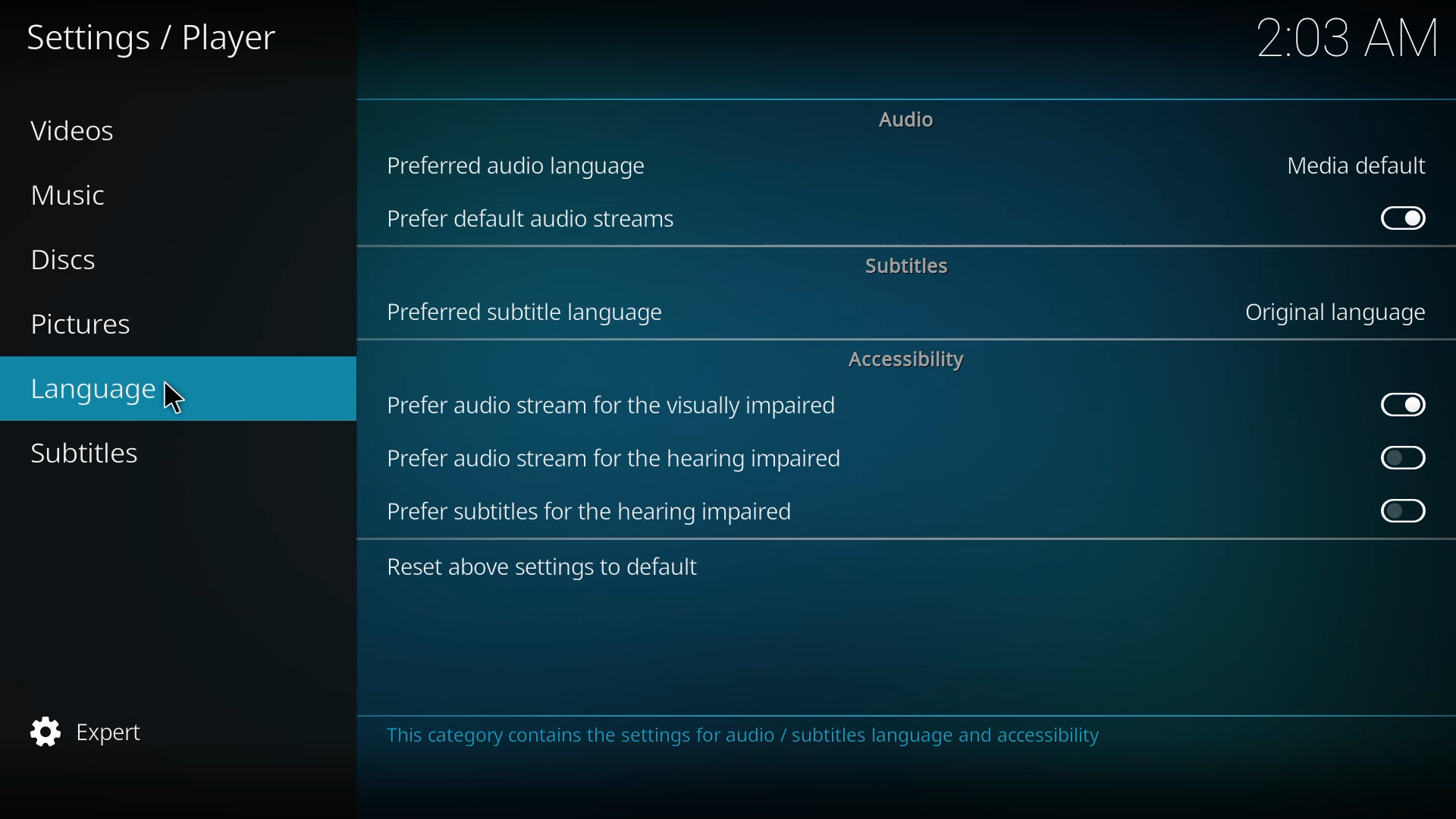 This screenshot has height=819, width=1456. Describe the element at coordinates (546, 563) in the screenshot. I see `reset to default` at that location.